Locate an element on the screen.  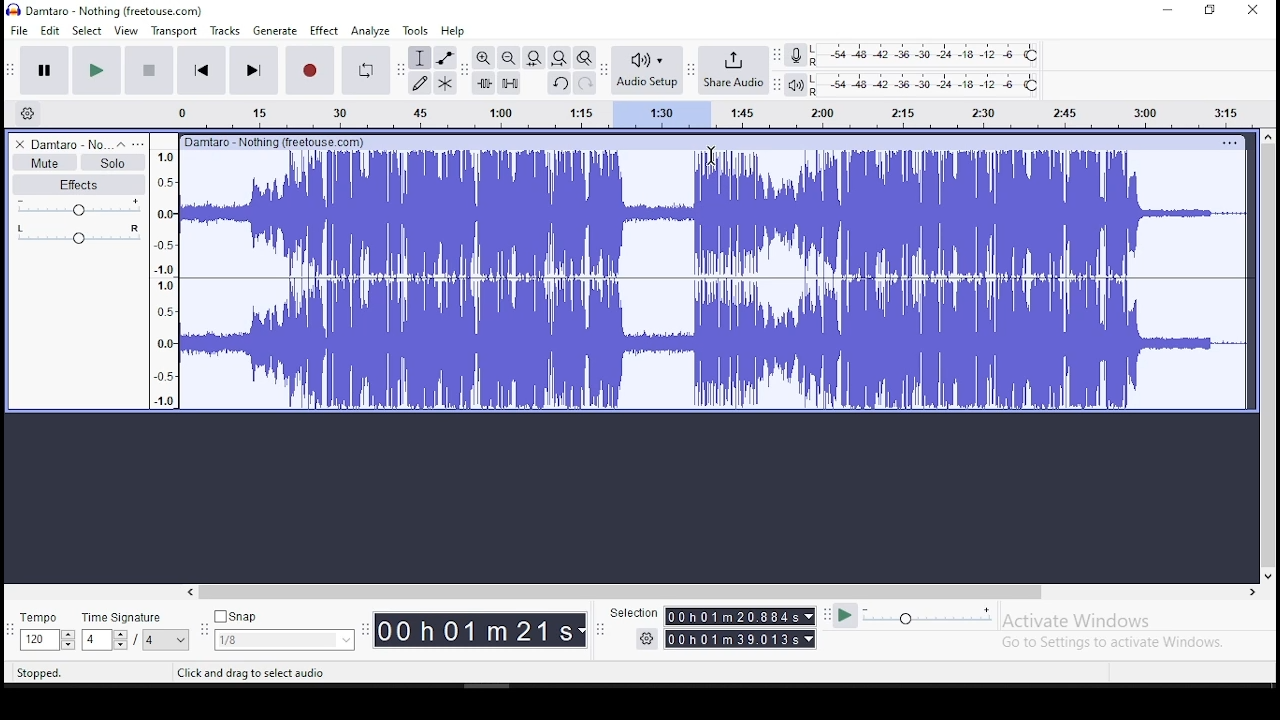
tracks is located at coordinates (227, 31).